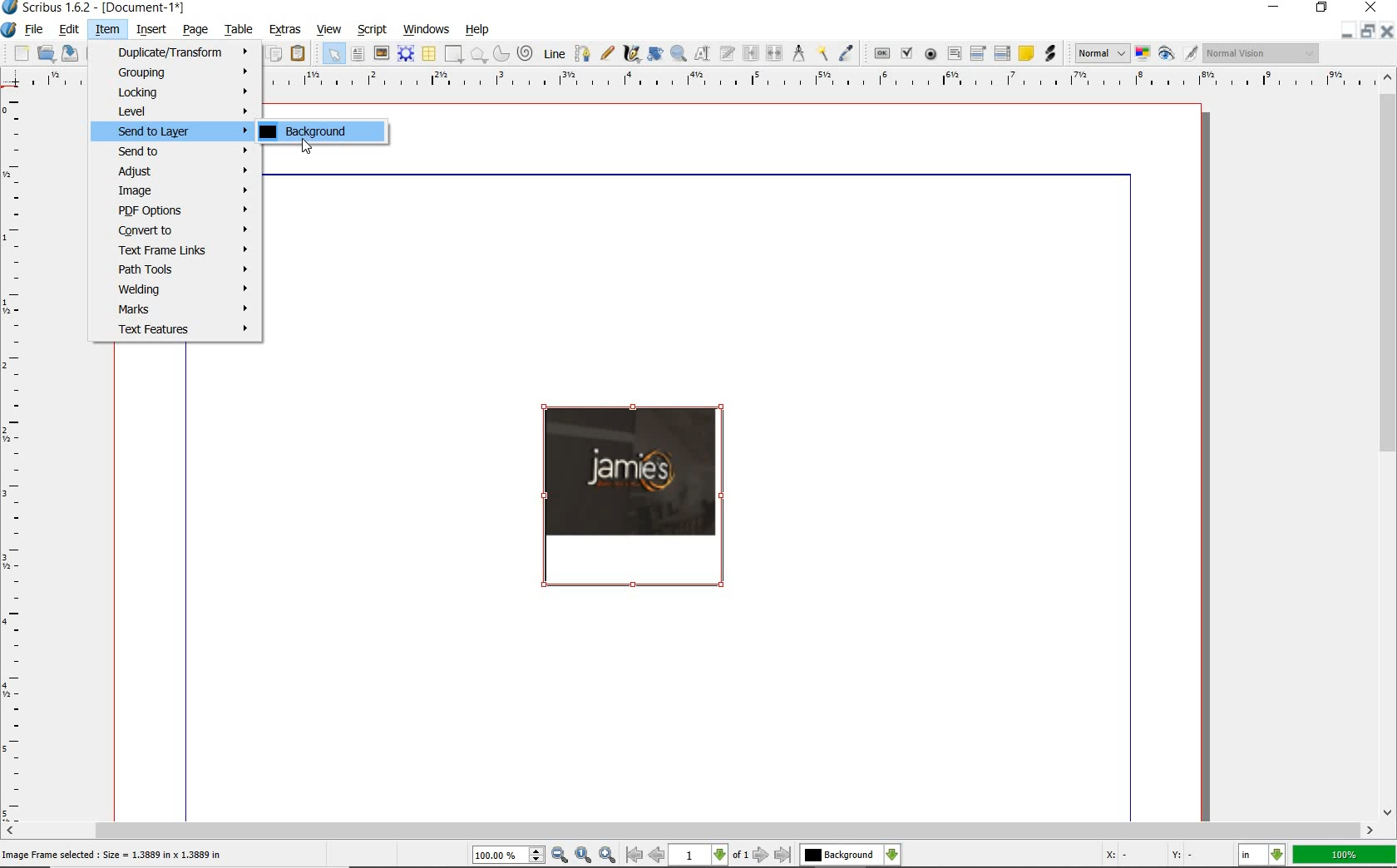 The image size is (1397, 868). What do you see at coordinates (691, 830) in the screenshot?
I see `scrollbar` at bounding box center [691, 830].